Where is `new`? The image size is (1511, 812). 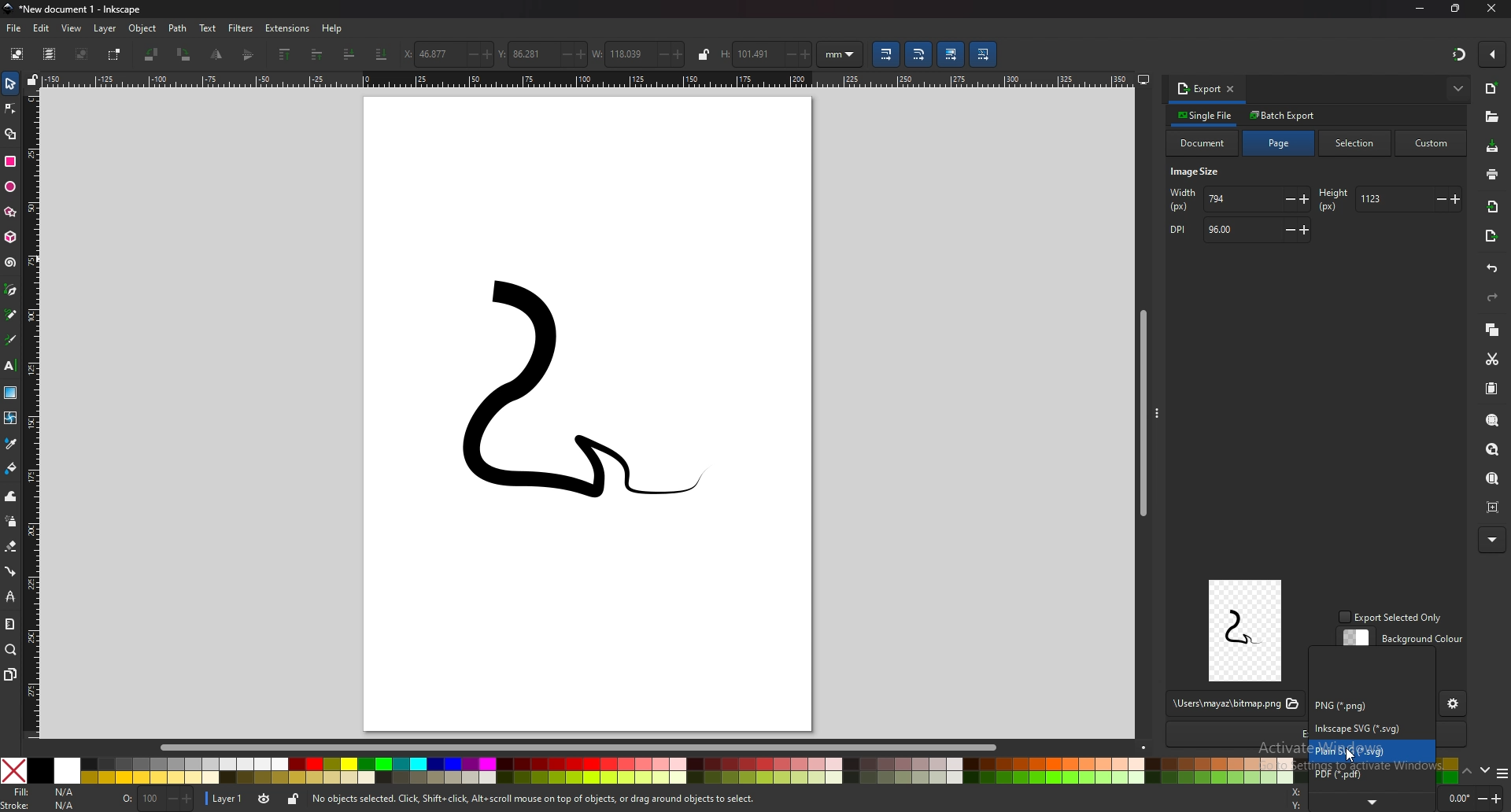 new is located at coordinates (1493, 89).